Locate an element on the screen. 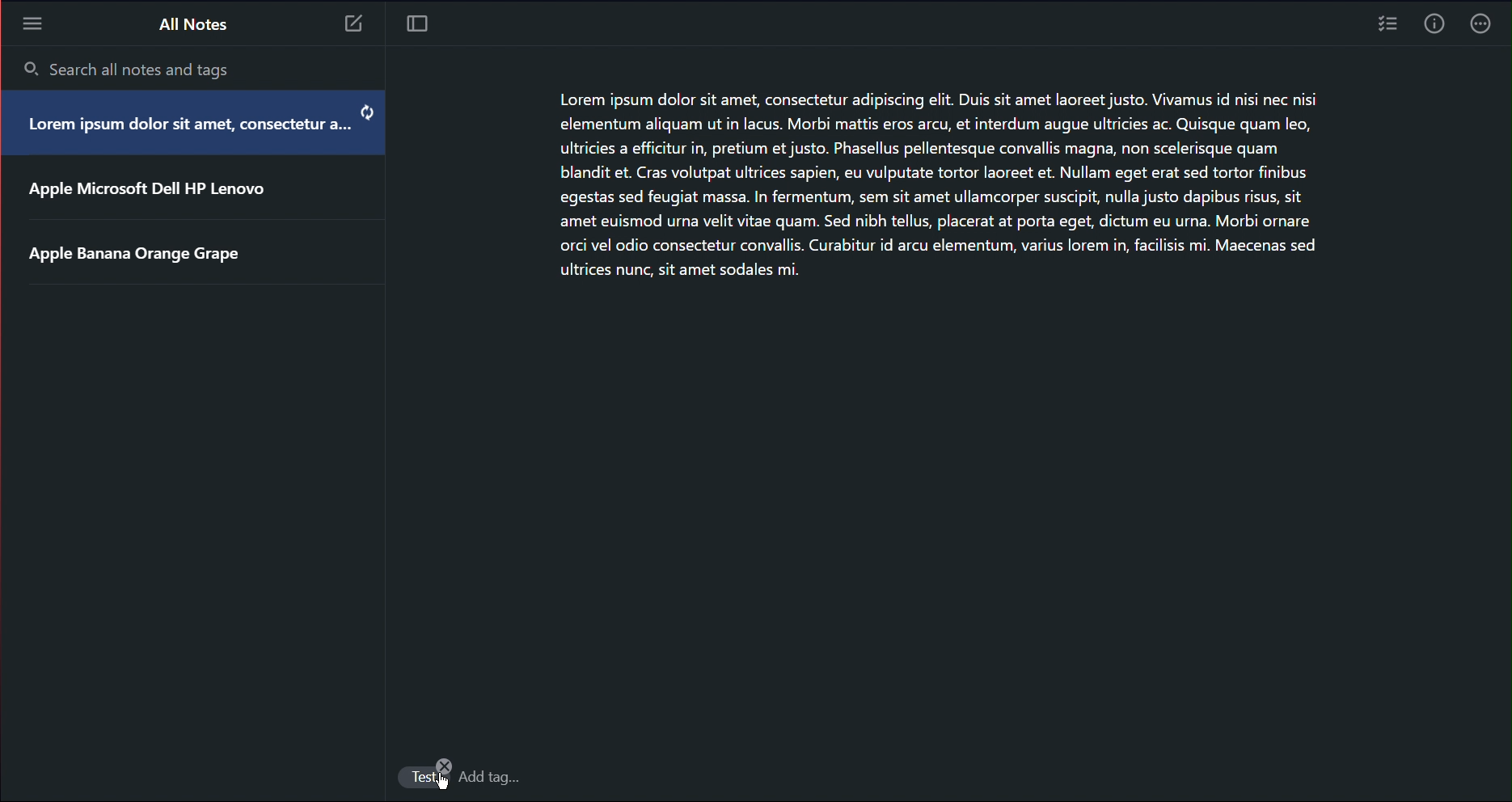 This screenshot has width=1512, height=802. Note 3 is located at coordinates (356, 26).